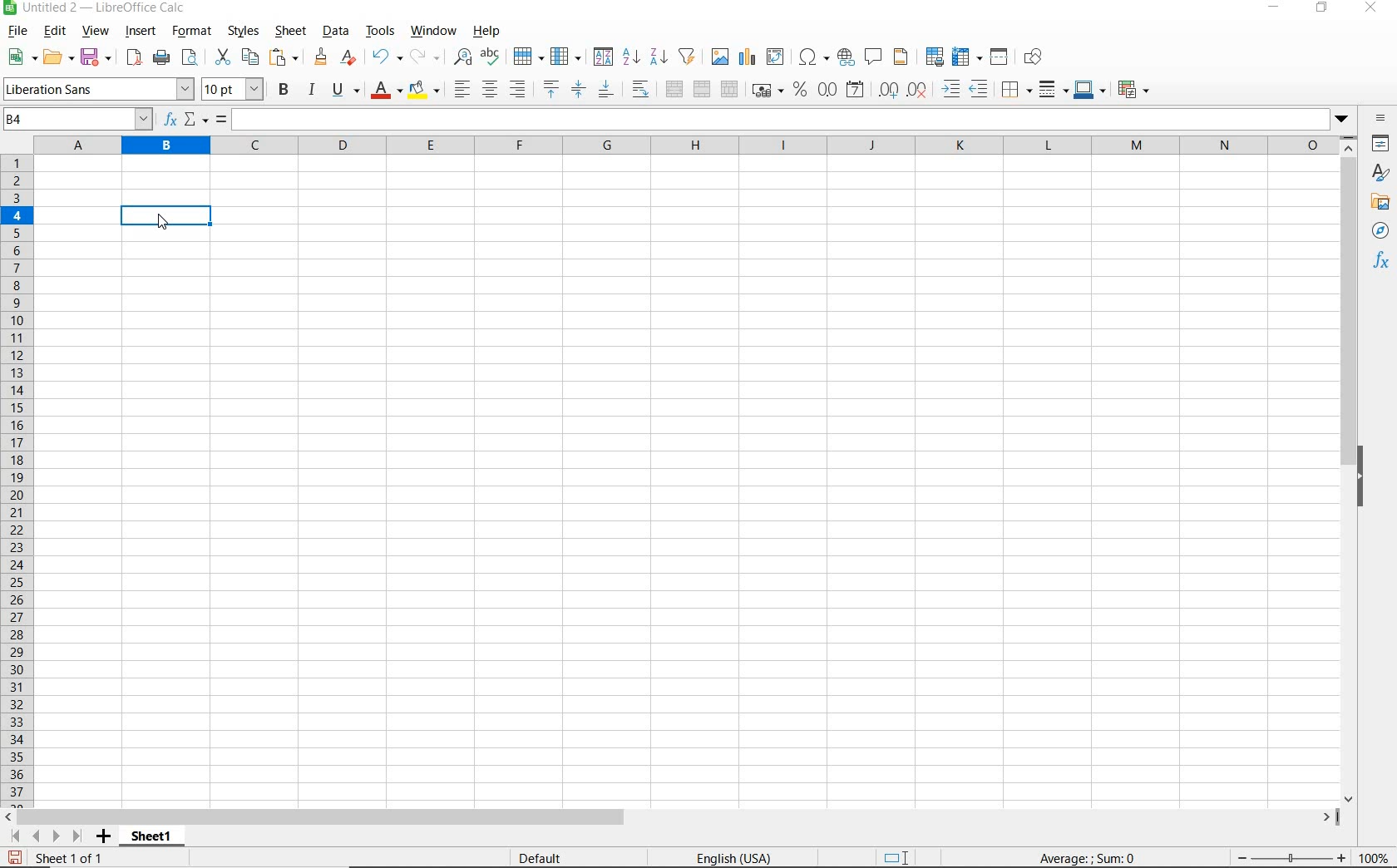  I want to click on merge and center or unmerge cells, so click(674, 89).